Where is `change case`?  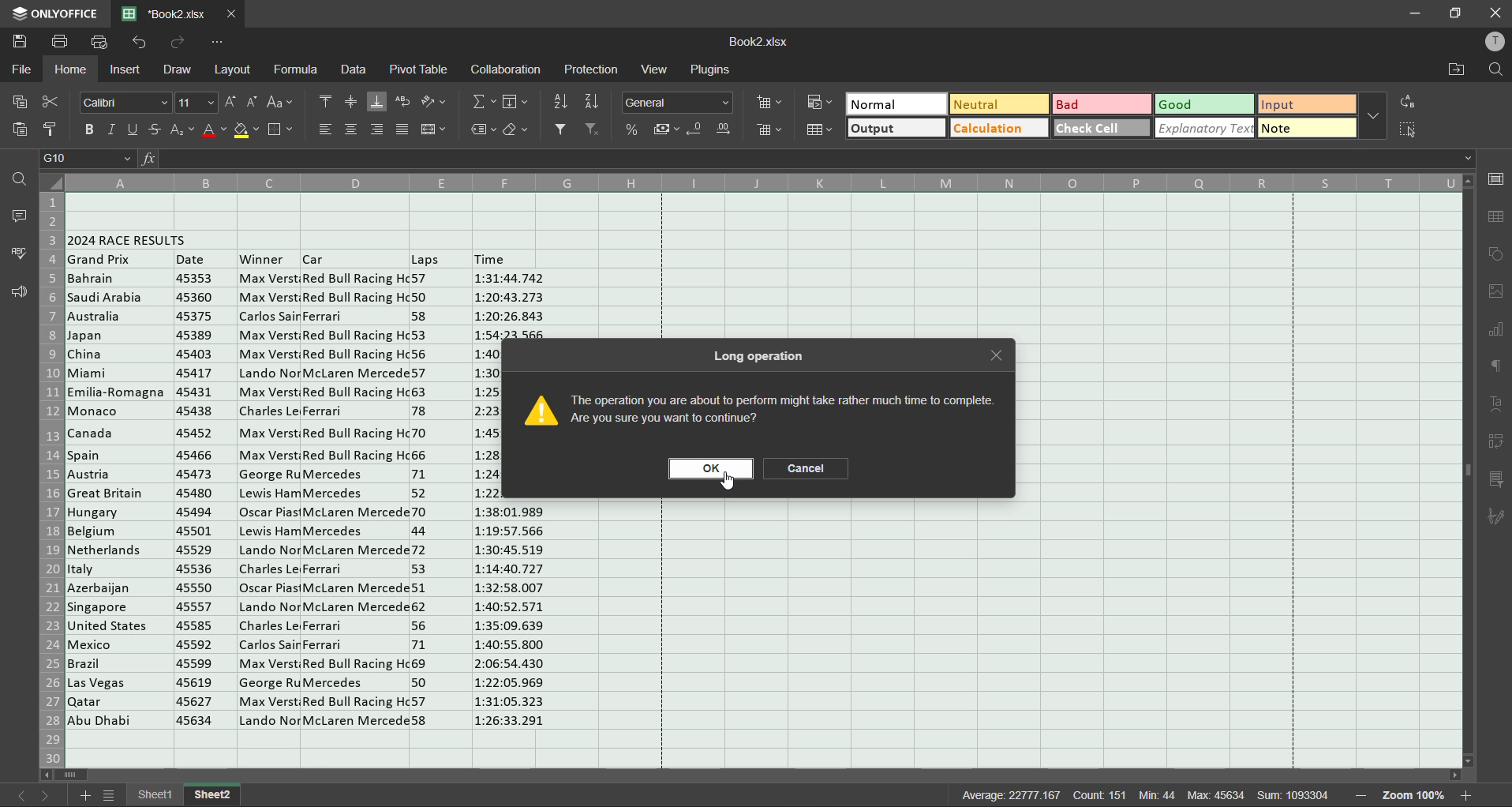
change case is located at coordinates (279, 103).